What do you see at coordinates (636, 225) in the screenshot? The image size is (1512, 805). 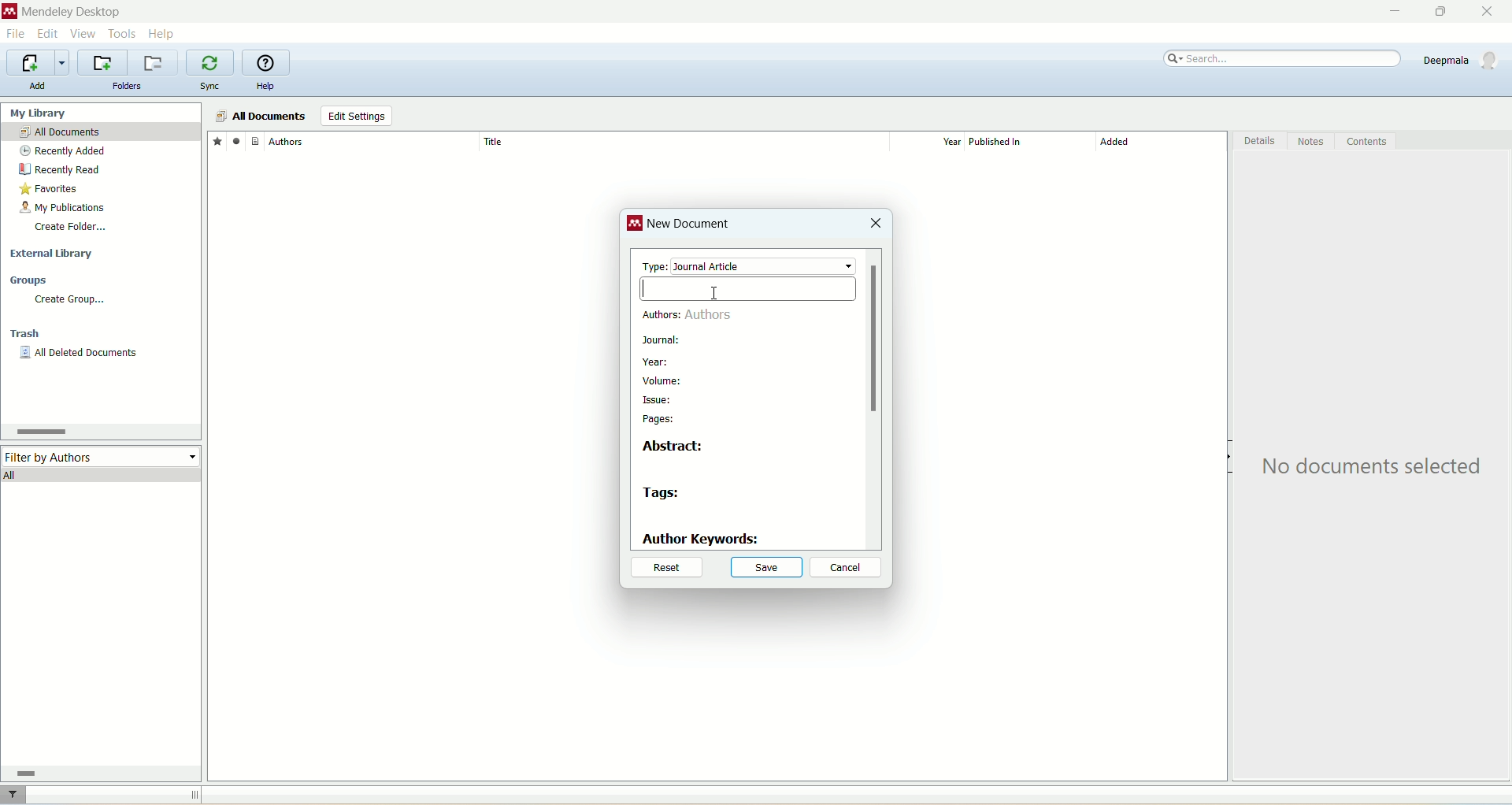 I see `logo` at bounding box center [636, 225].